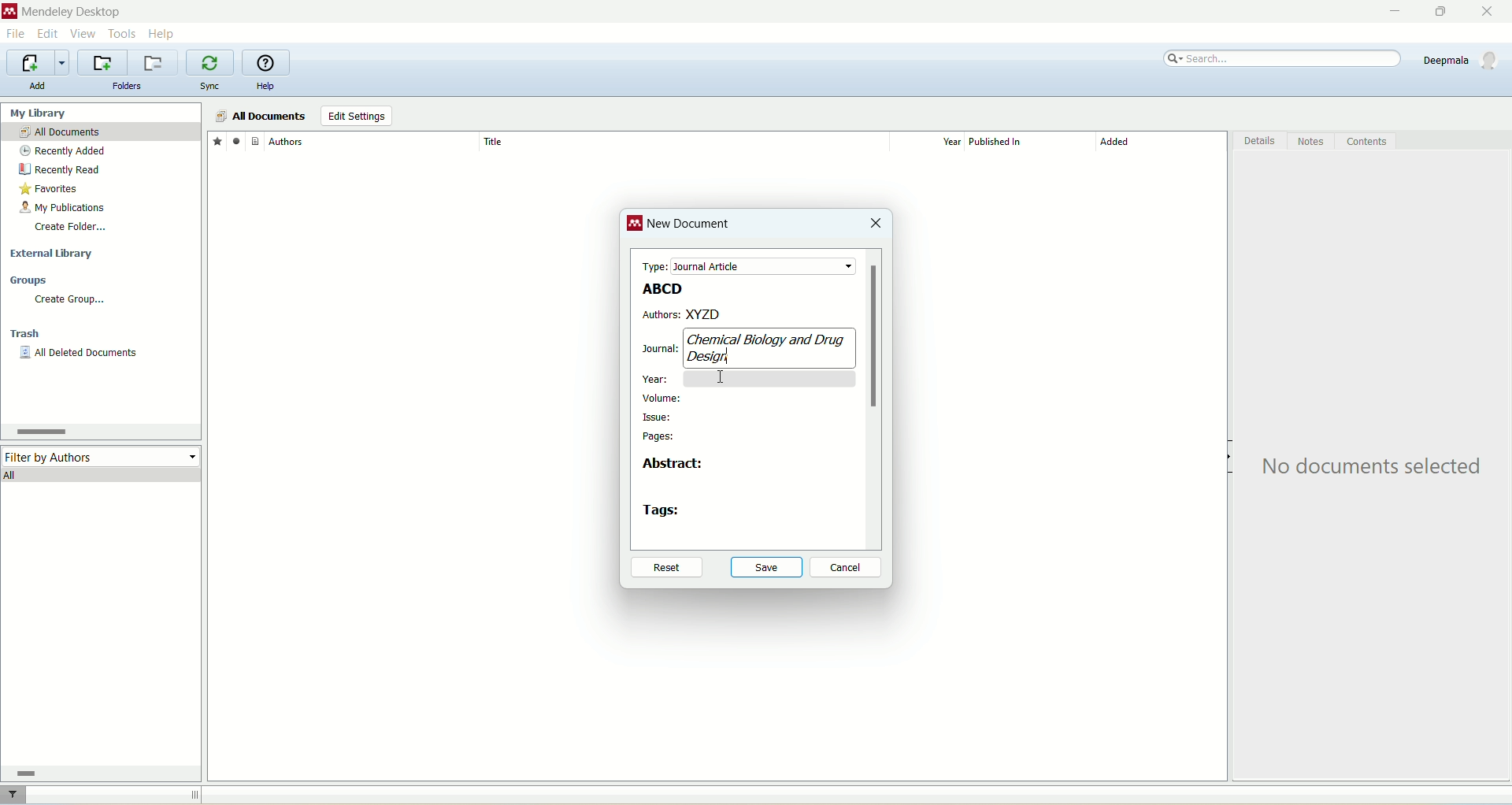  I want to click on new document, so click(691, 227).